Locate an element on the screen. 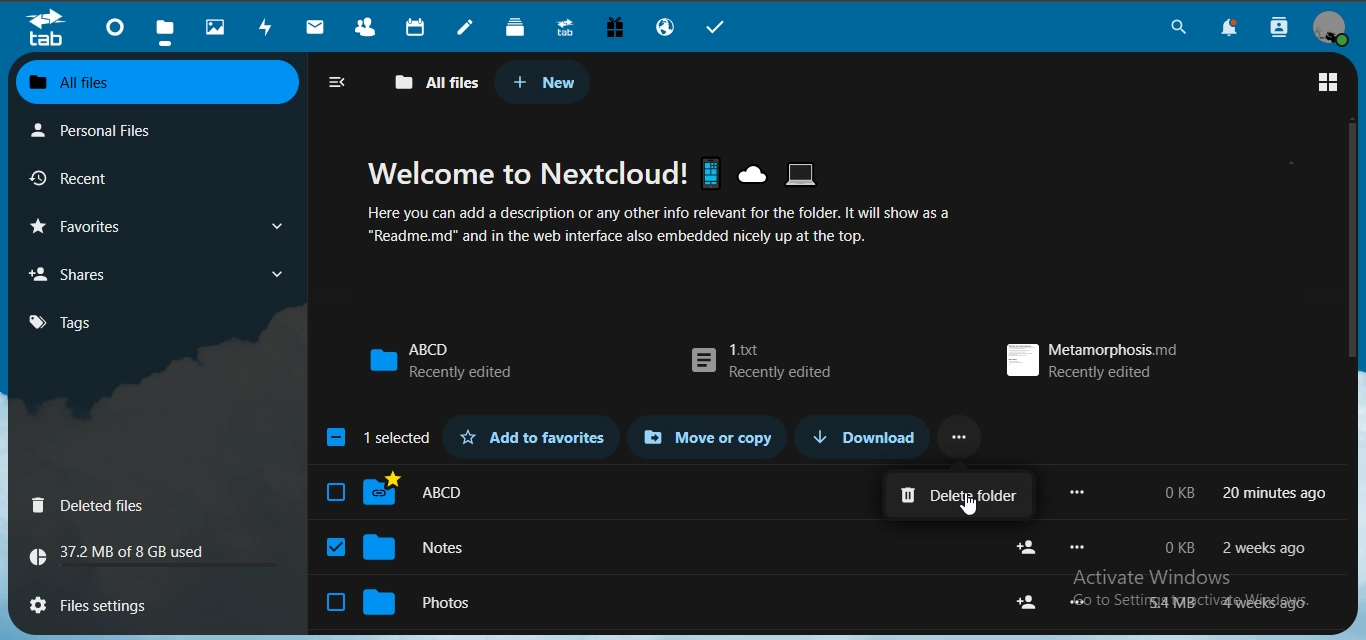  all files is located at coordinates (433, 81).